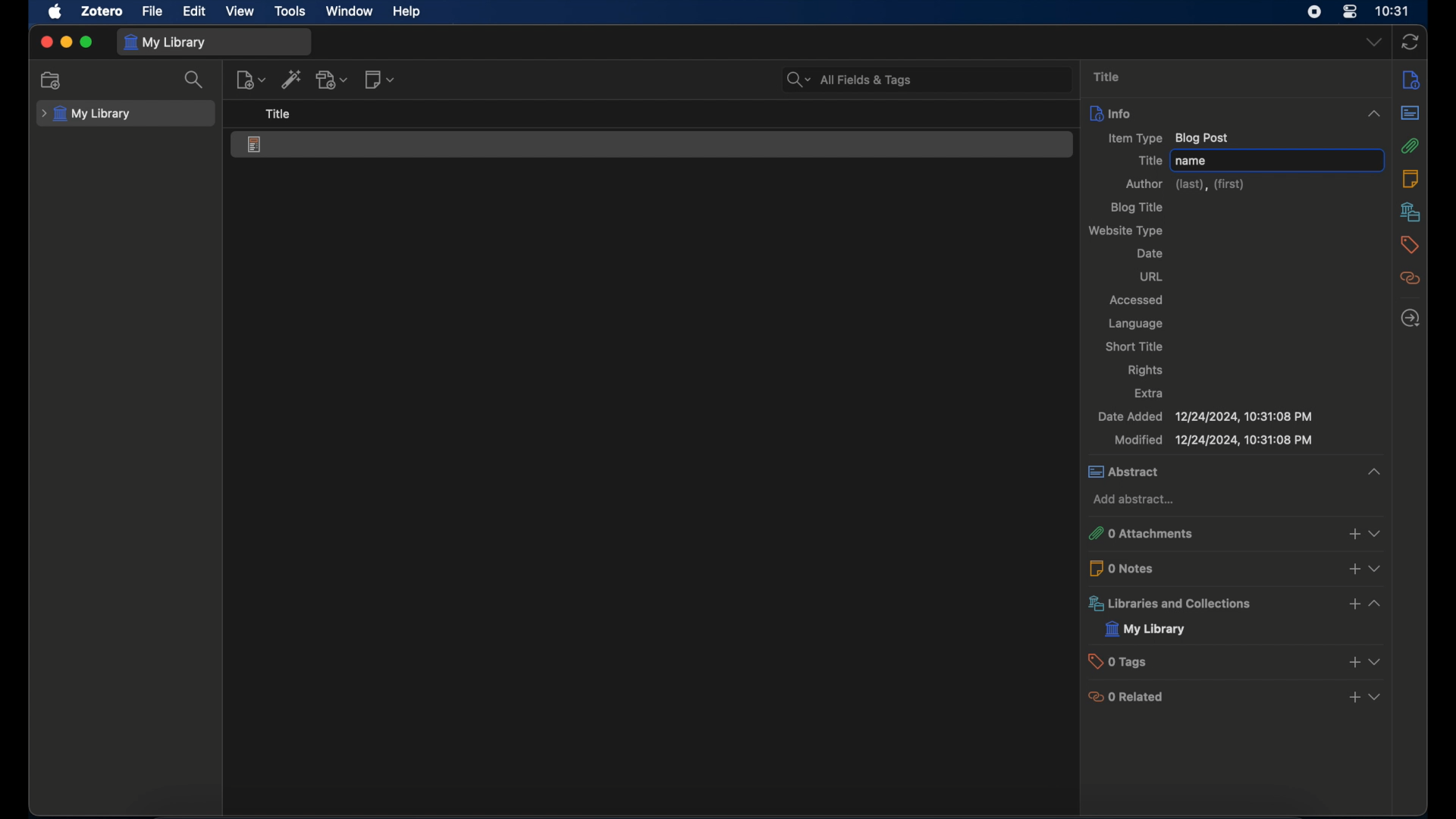  What do you see at coordinates (1393, 10) in the screenshot?
I see `time` at bounding box center [1393, 10].